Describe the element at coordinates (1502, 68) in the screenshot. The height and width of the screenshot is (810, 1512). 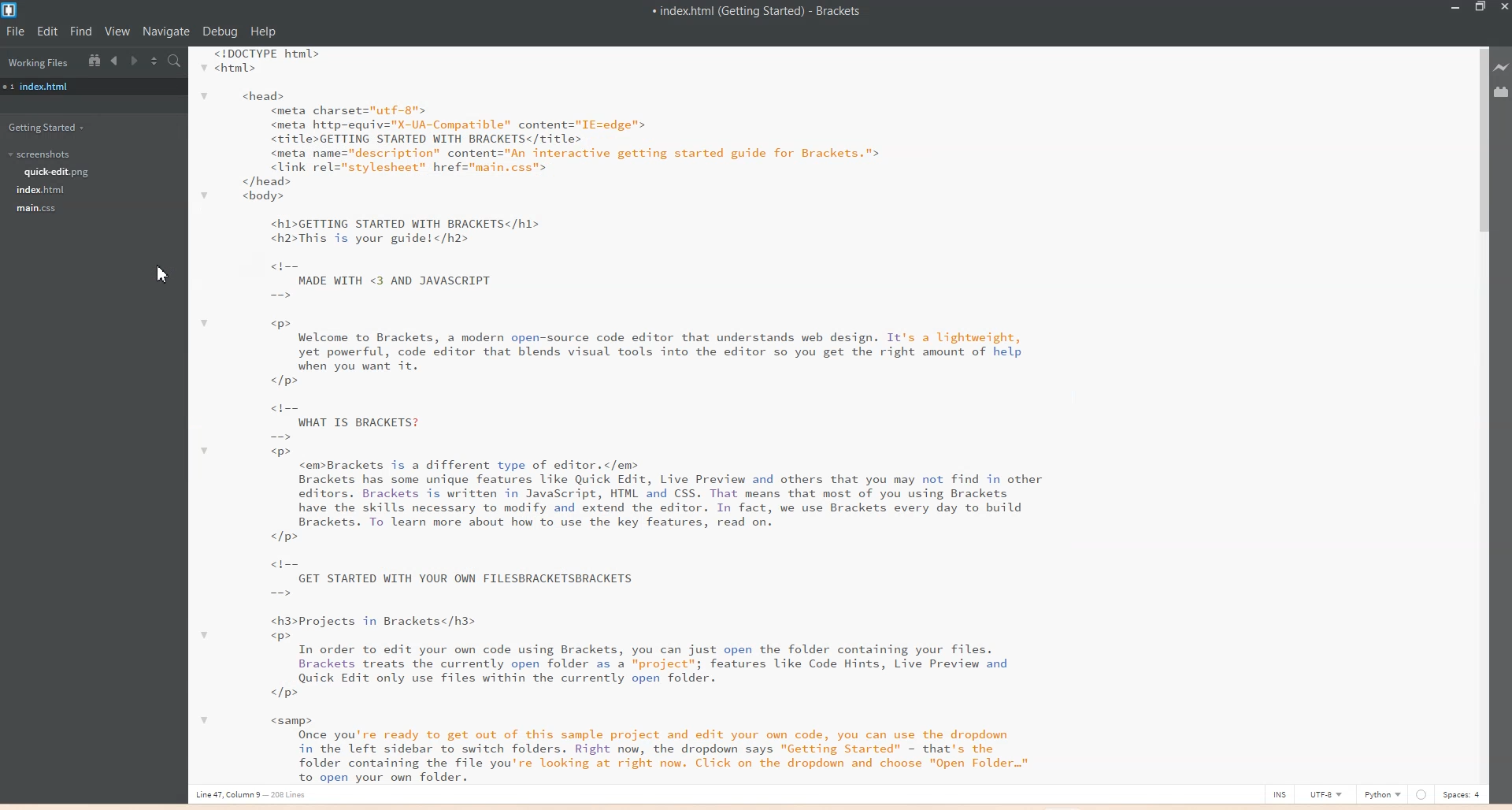
I see `Live Preview` at that location.